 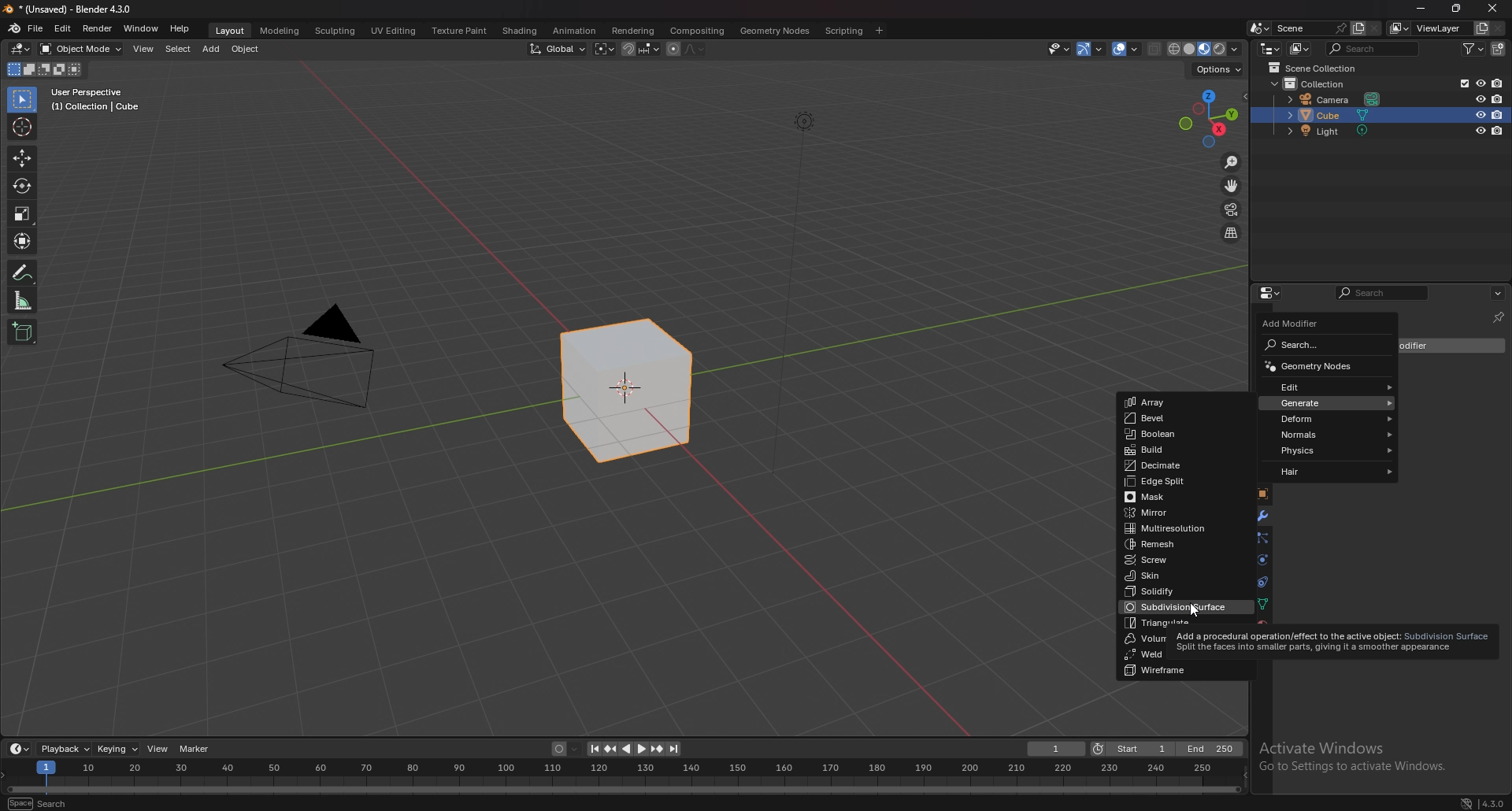 I want to click on auto keying, so click(x=566, y=750).